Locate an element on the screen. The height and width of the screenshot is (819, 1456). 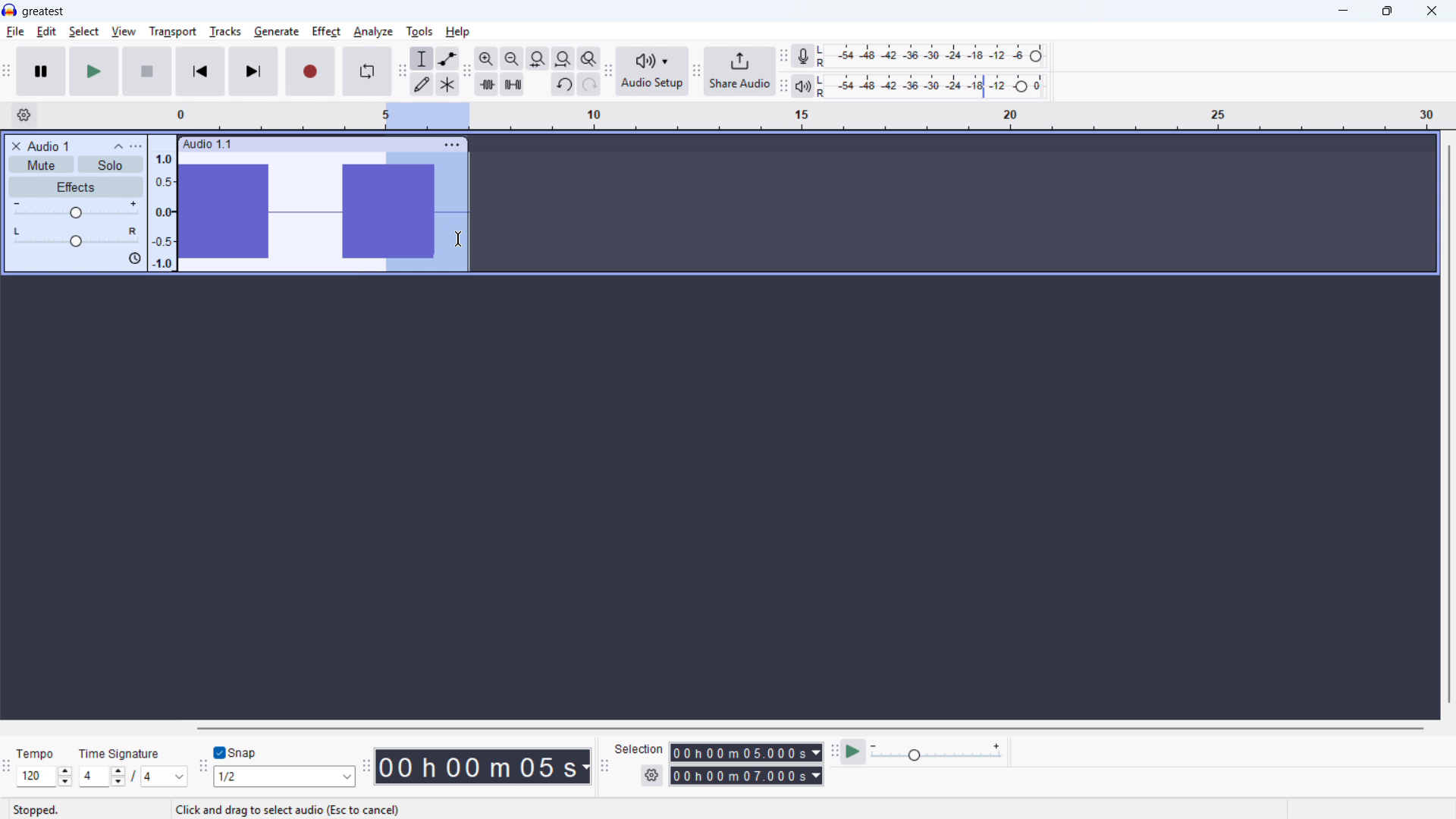
Greatest  is located at coordinates (42, 12).